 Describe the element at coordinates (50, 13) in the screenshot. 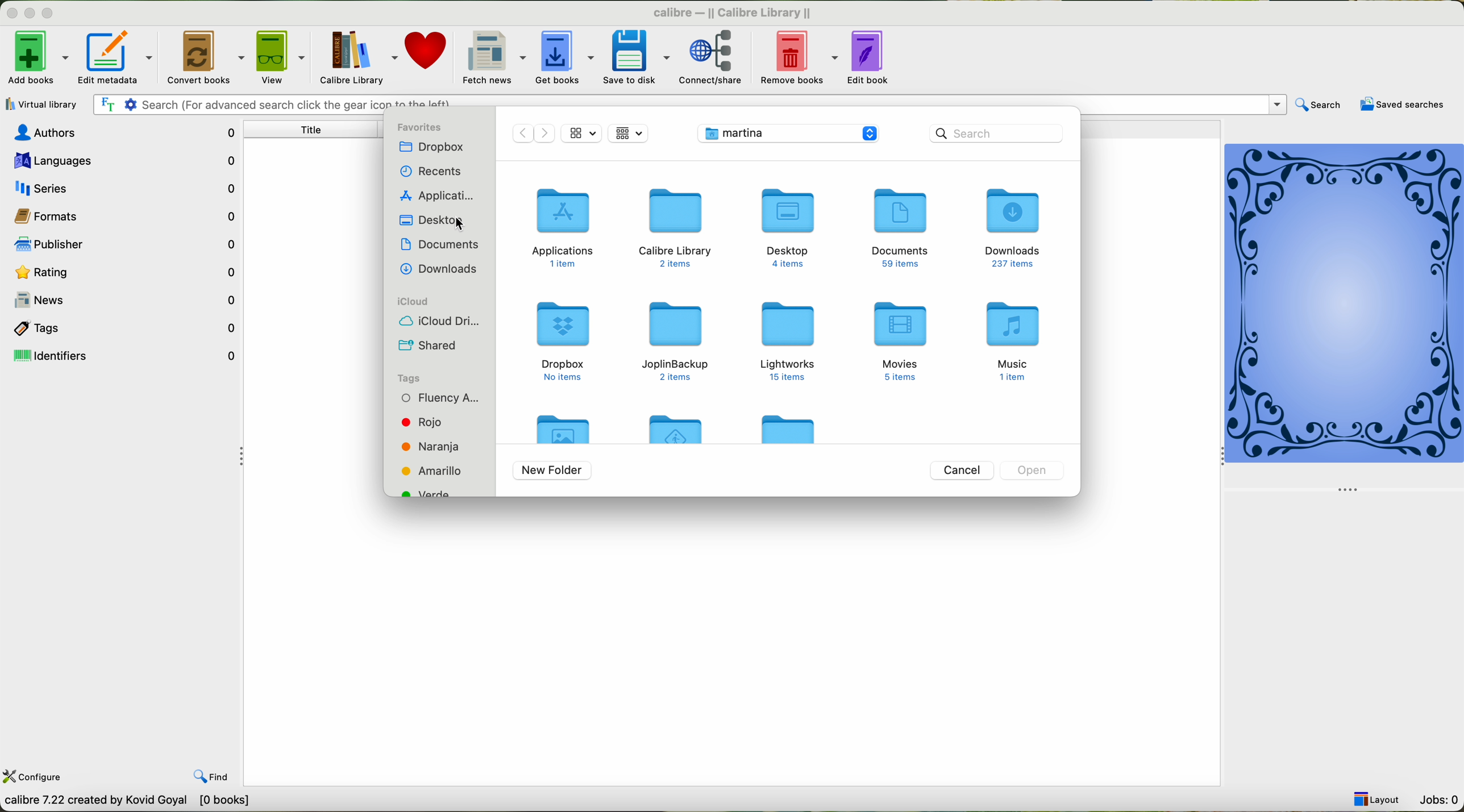

I see `maximize` at that location.